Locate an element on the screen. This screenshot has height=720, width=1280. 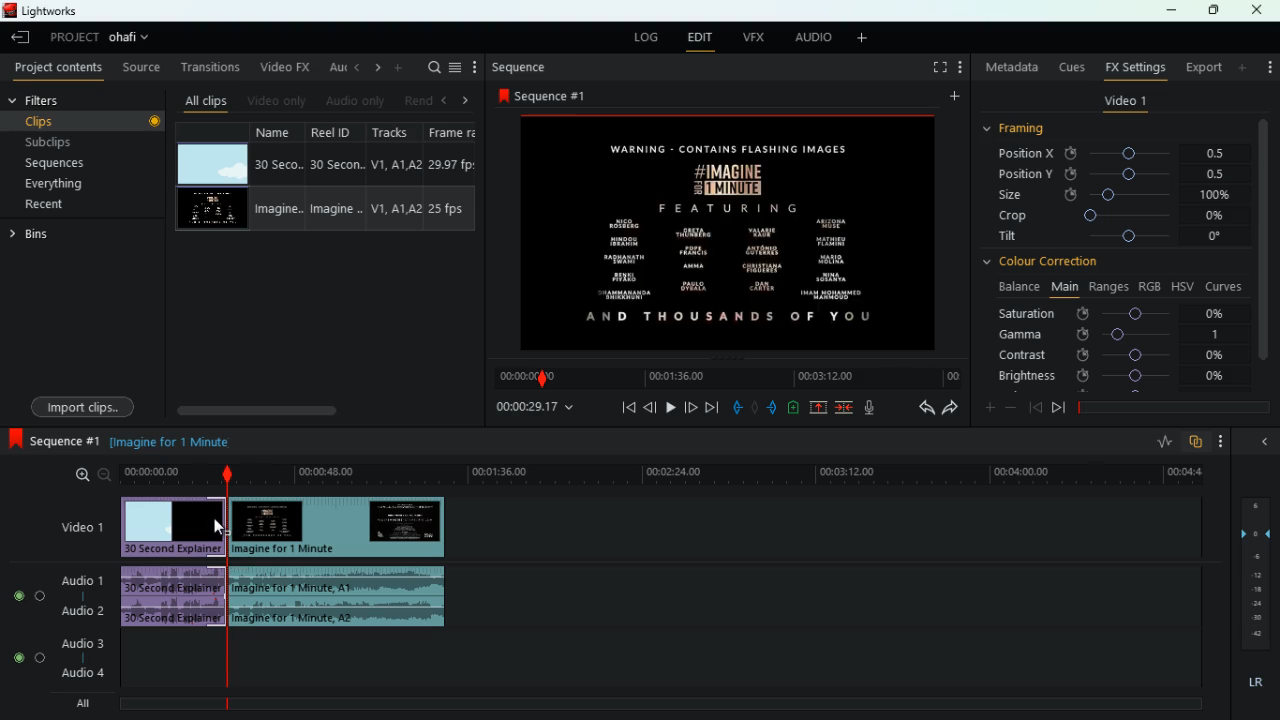
back is located at coordinates (650, 407).